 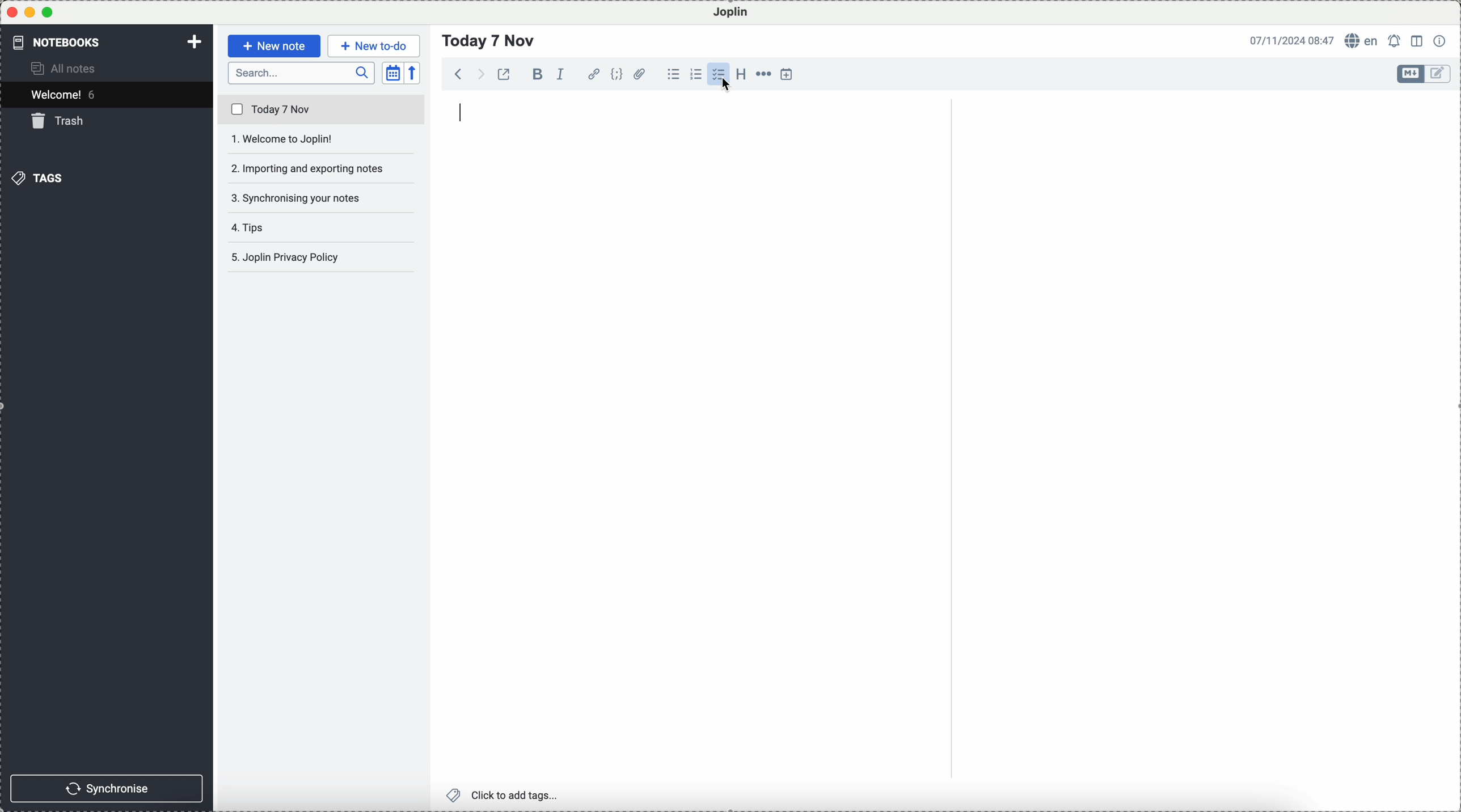 What do you see at coordinates (322, 110) in the screenshot?
I see `today 7 nov` at bounding box center [322, 110].